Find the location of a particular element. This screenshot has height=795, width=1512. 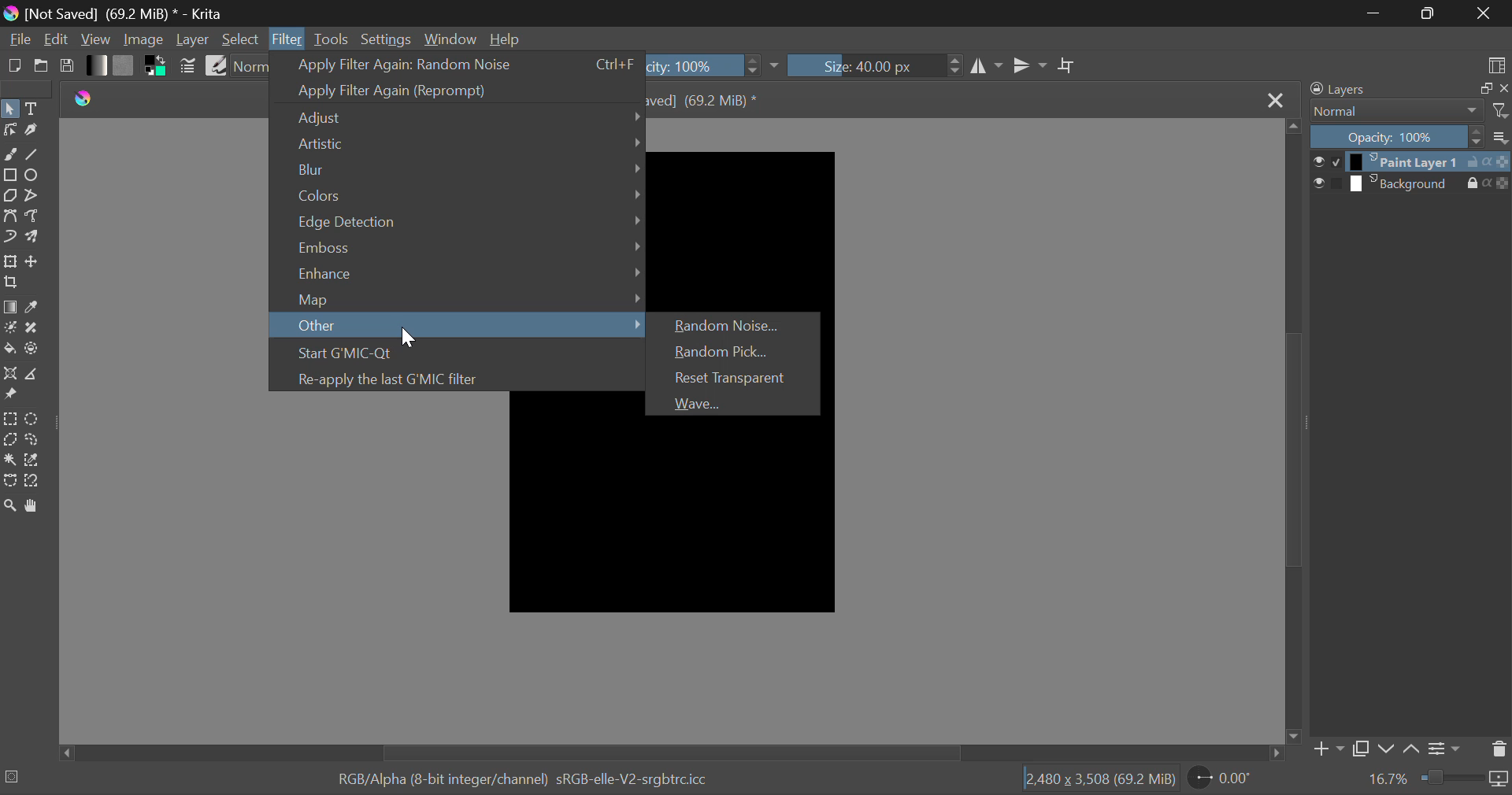

Circular Selection is located at coordinates (35, 419).